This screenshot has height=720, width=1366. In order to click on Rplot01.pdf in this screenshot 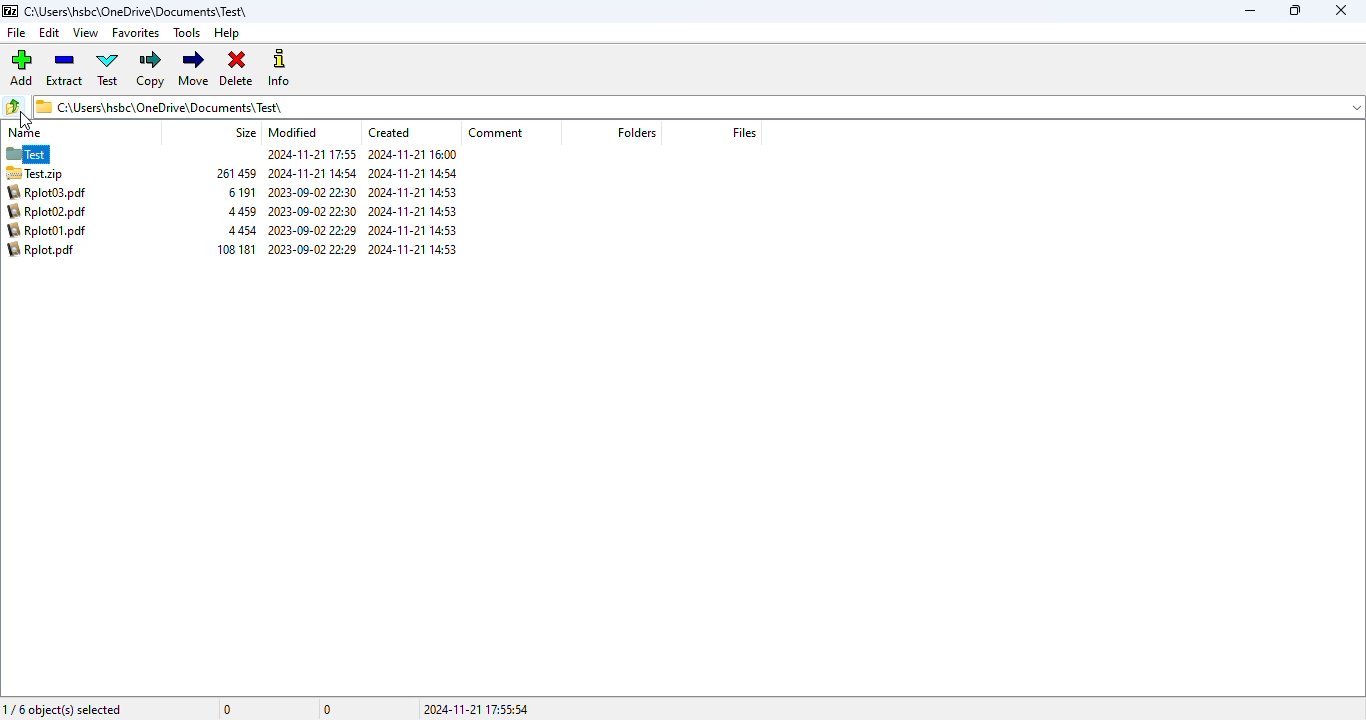, I will do `click(45, 230)`.